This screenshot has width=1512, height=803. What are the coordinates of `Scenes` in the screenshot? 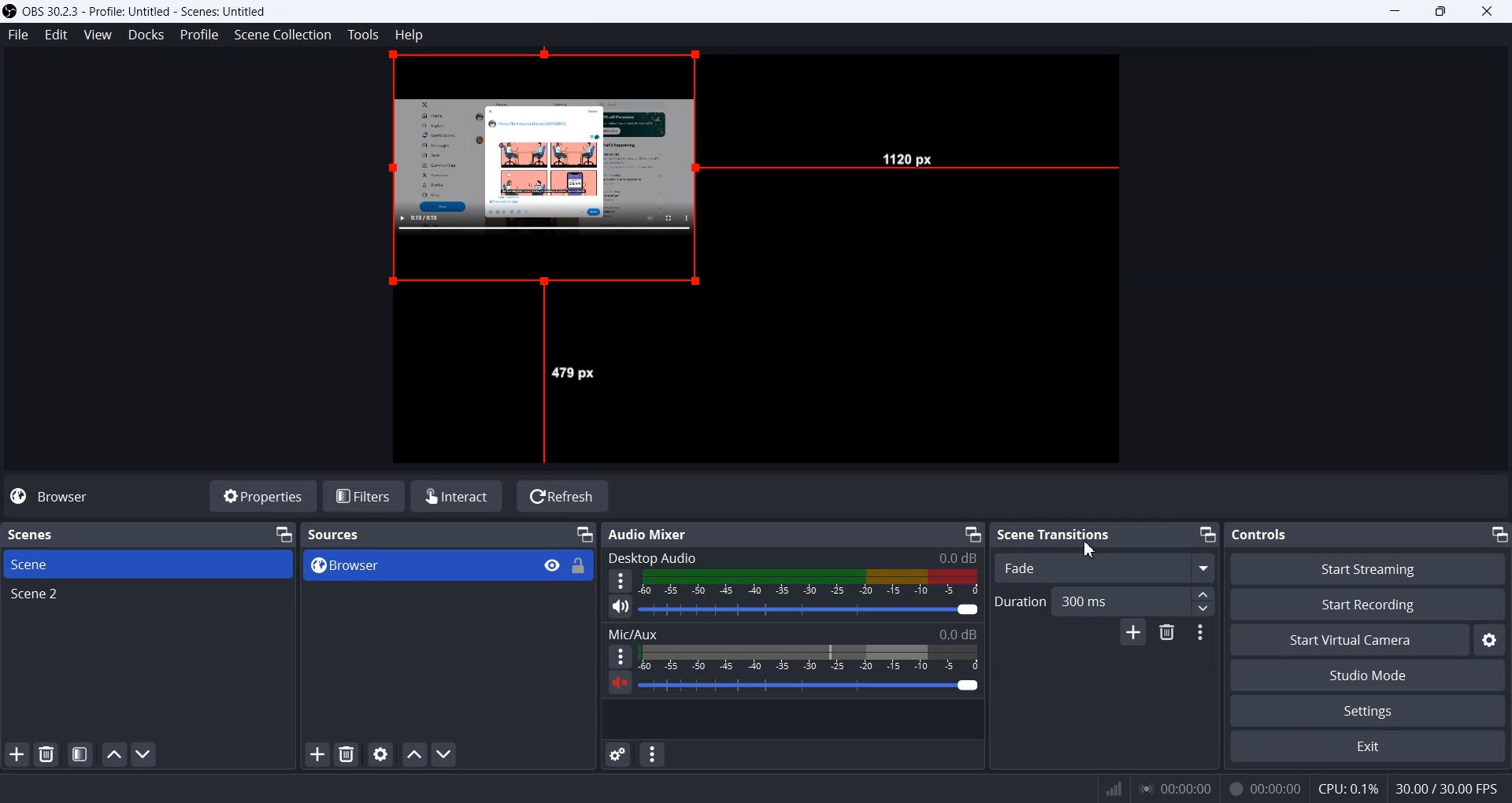 It's located at (65, 533).